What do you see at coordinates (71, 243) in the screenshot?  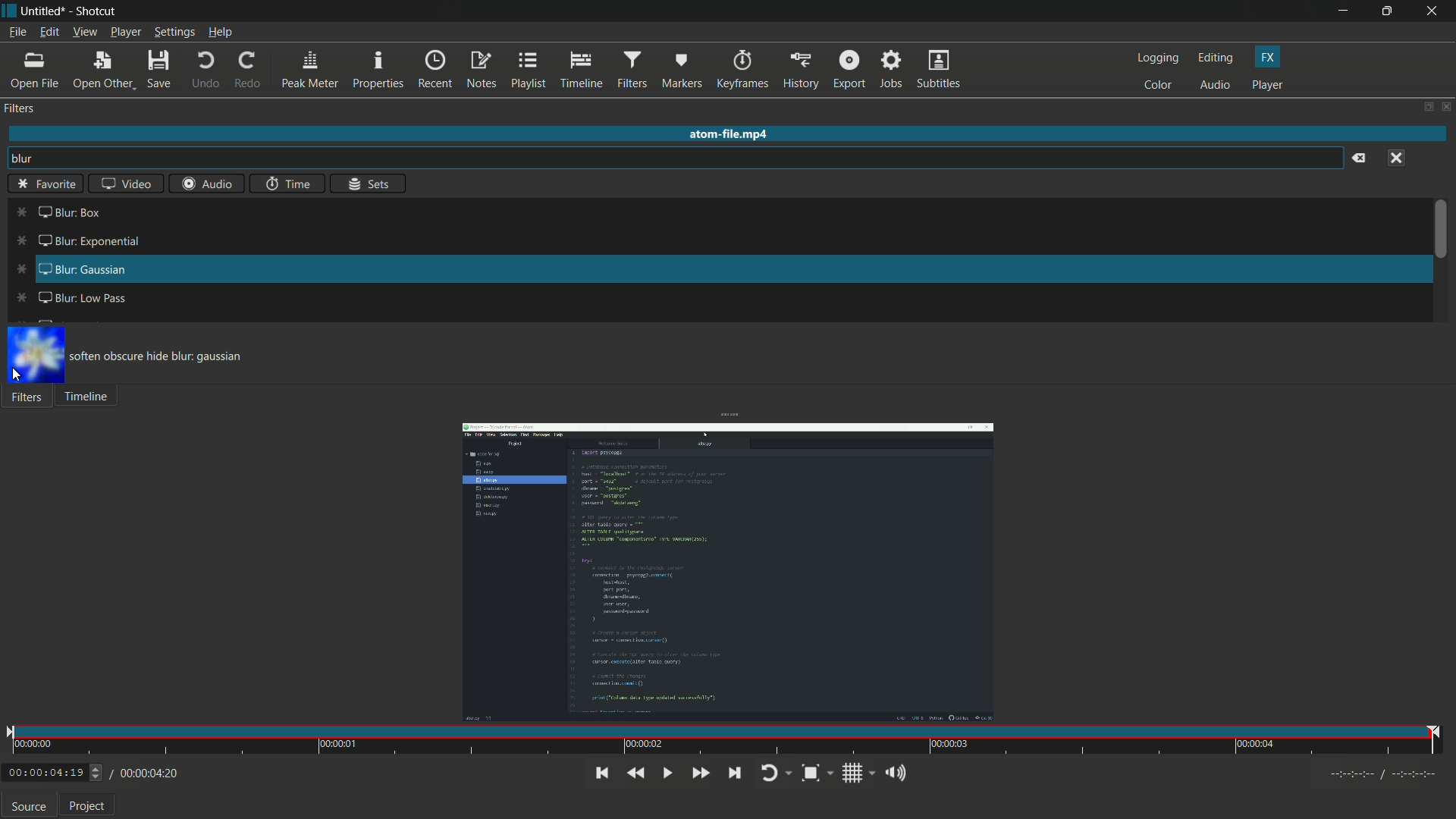 I see `blur exponential` at bounding box center [71, 243].